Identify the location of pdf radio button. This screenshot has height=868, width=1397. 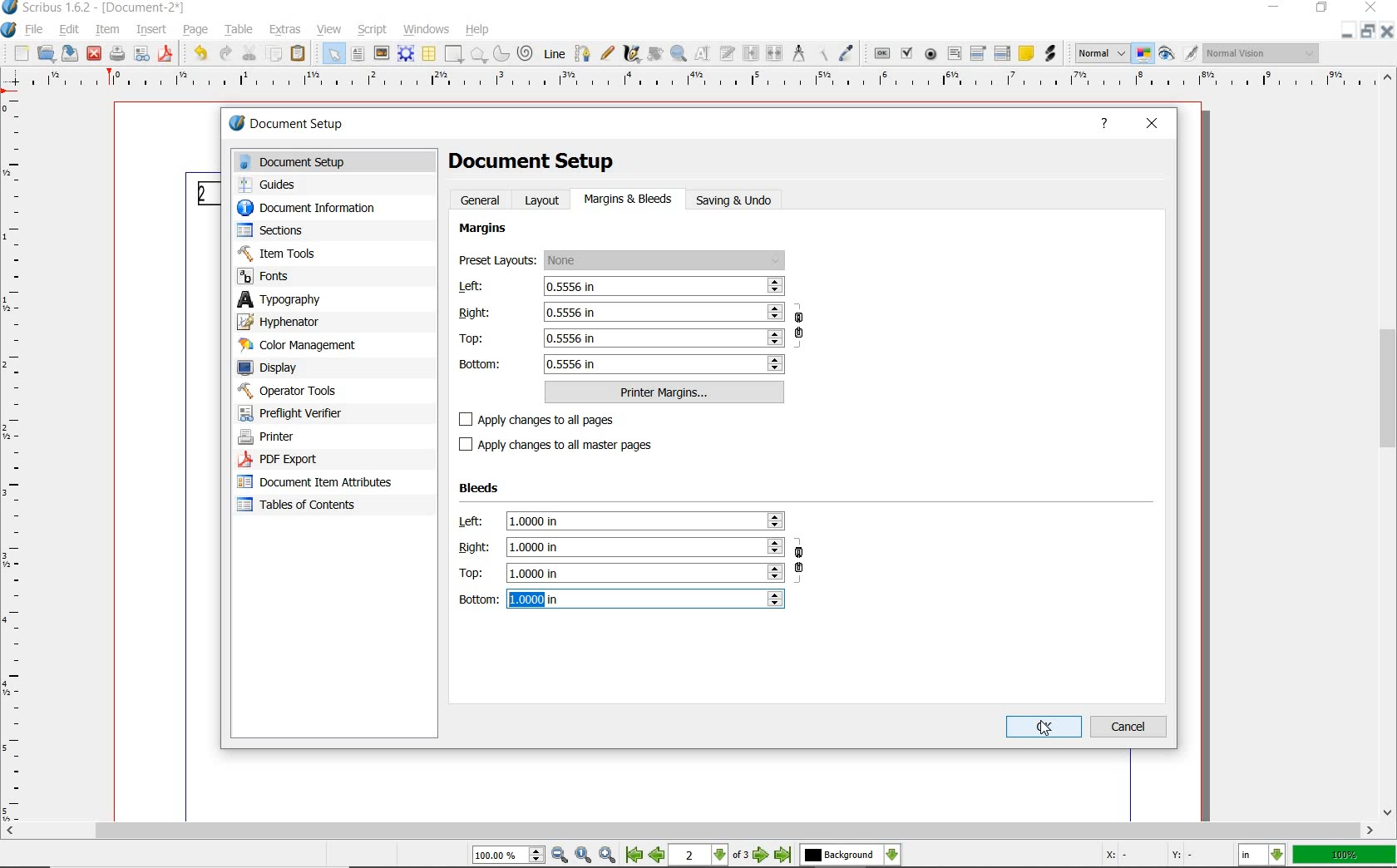
(931, 54).